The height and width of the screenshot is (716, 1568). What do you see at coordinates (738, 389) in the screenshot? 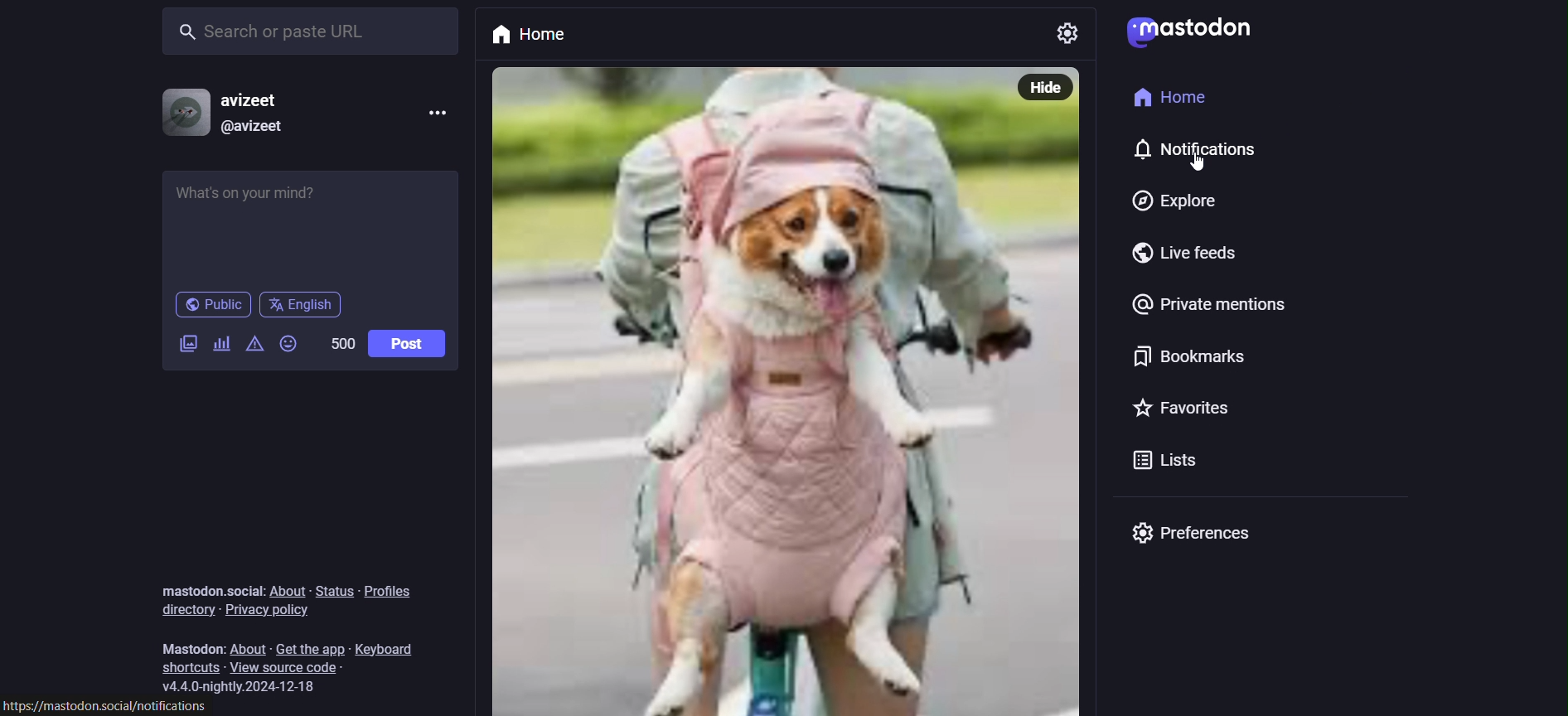
I see `post with picture` at bounding box center [738, 389].